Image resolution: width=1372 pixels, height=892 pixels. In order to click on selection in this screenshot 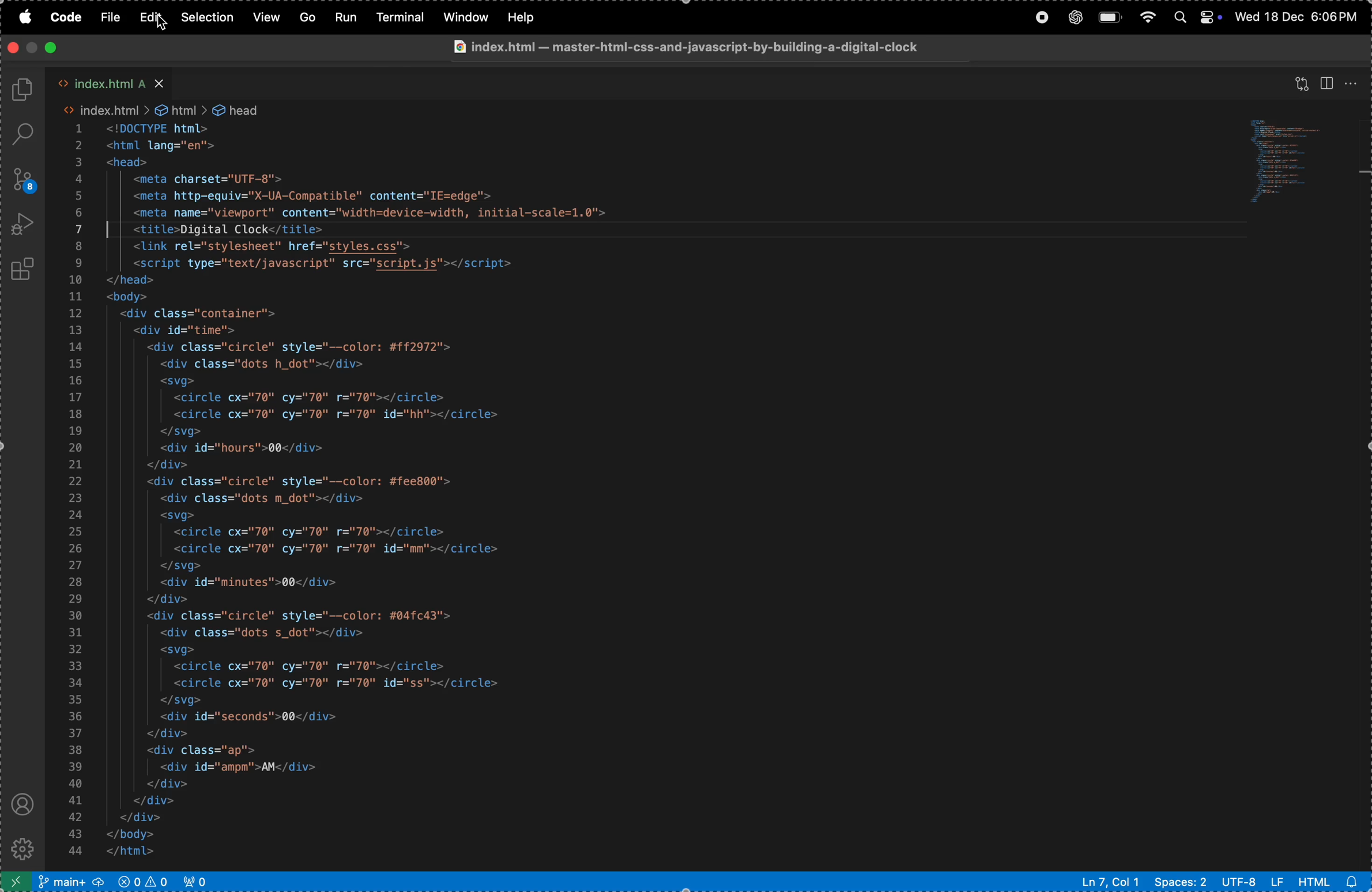, I will do `click(208, 16)`.